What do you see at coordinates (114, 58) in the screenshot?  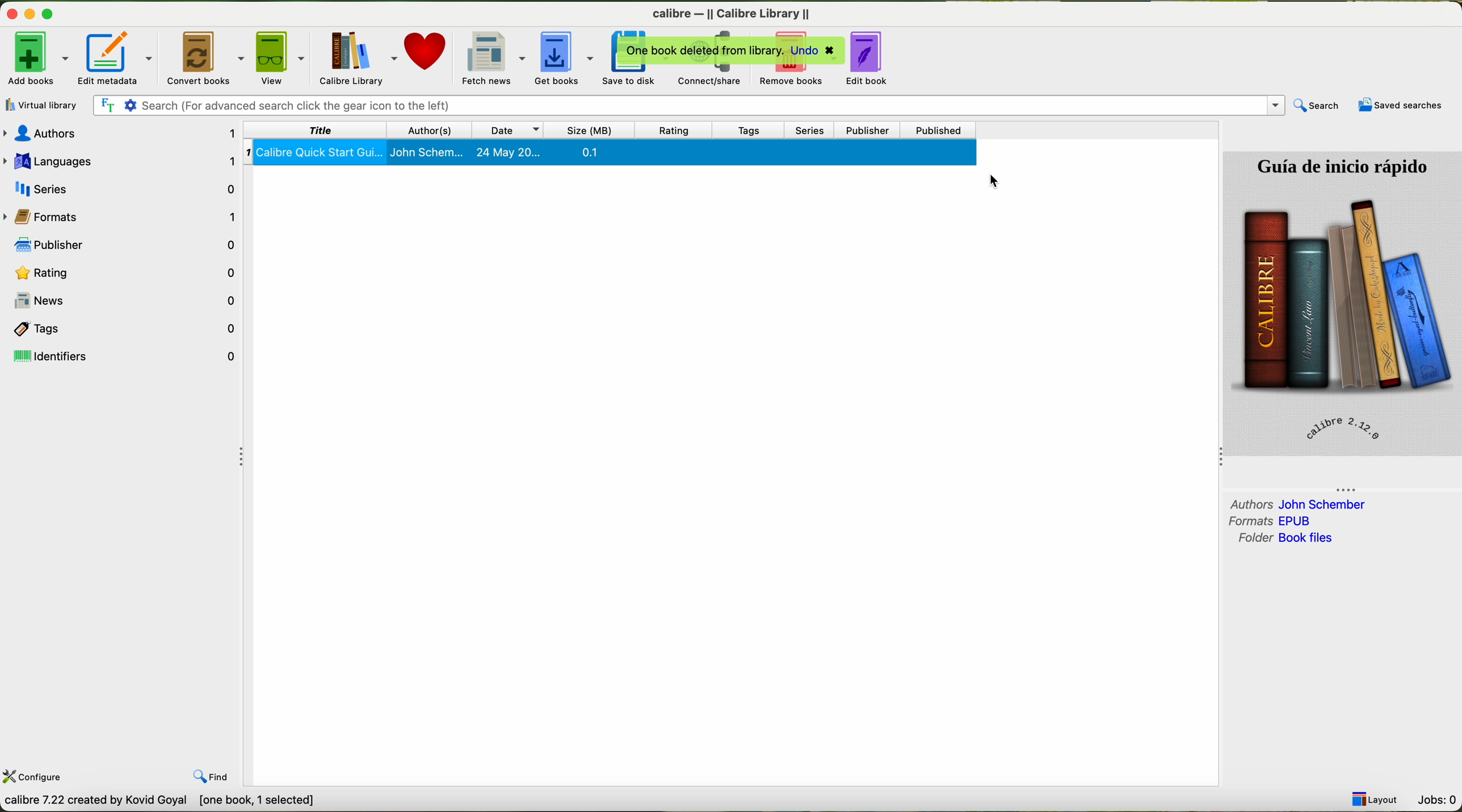 I see `edit metadata` at bounding box center [114, 58].